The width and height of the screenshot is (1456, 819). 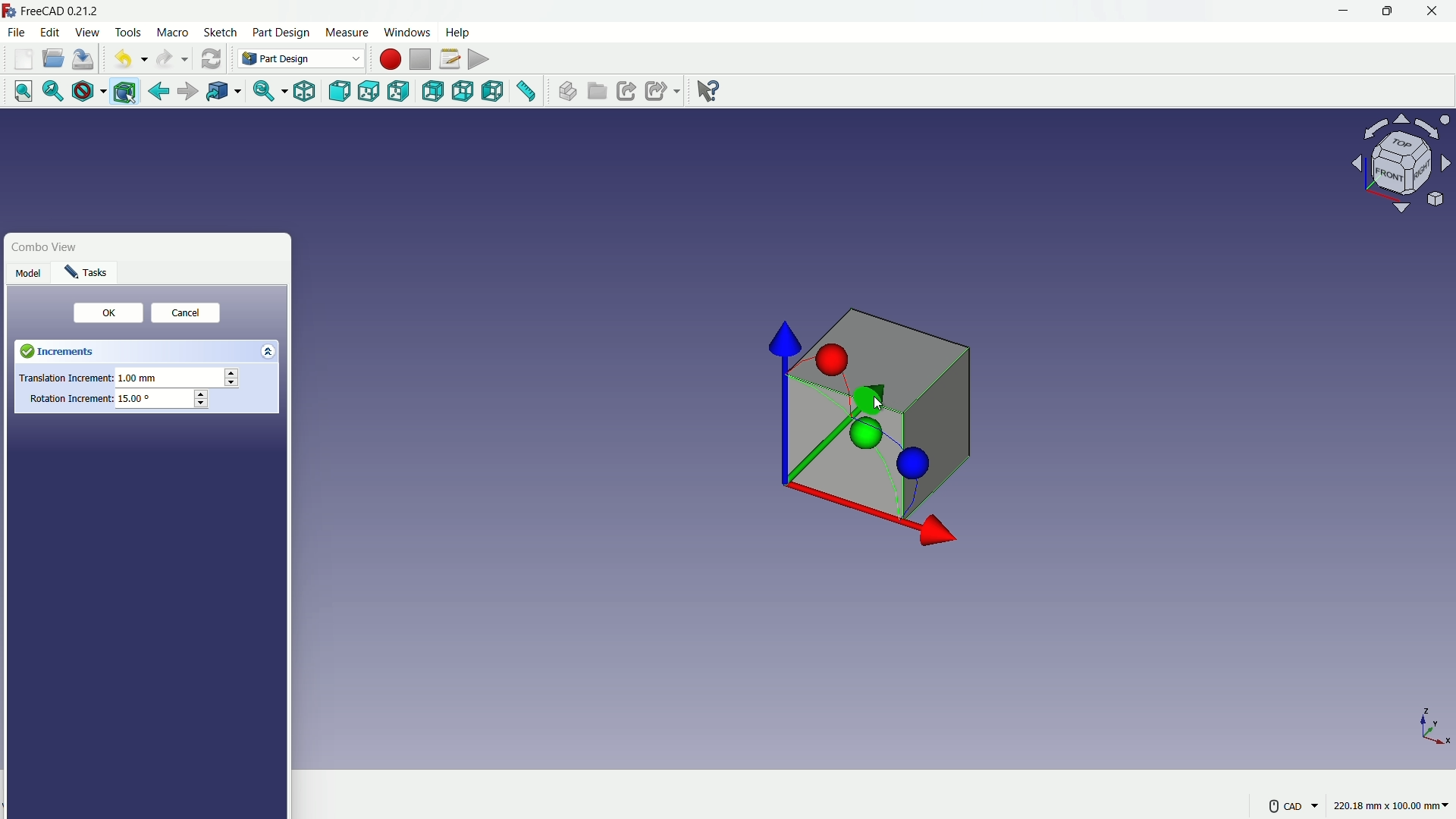 What do you see at coordinates (435, 93) in the screenshot?
I see `back view` at bounding box center [435, 93].